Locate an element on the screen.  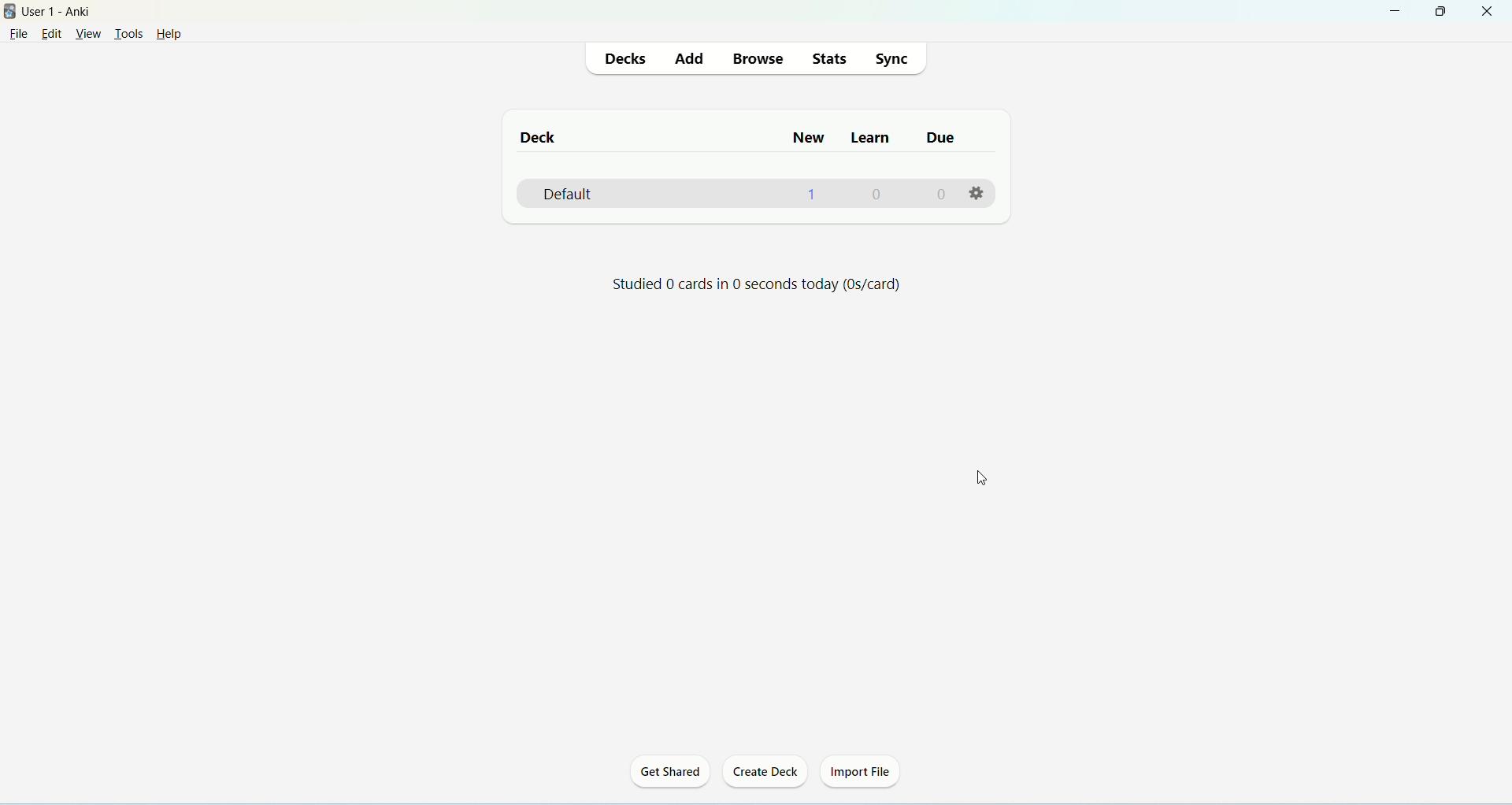
close is located at coordinates (1489, 10).